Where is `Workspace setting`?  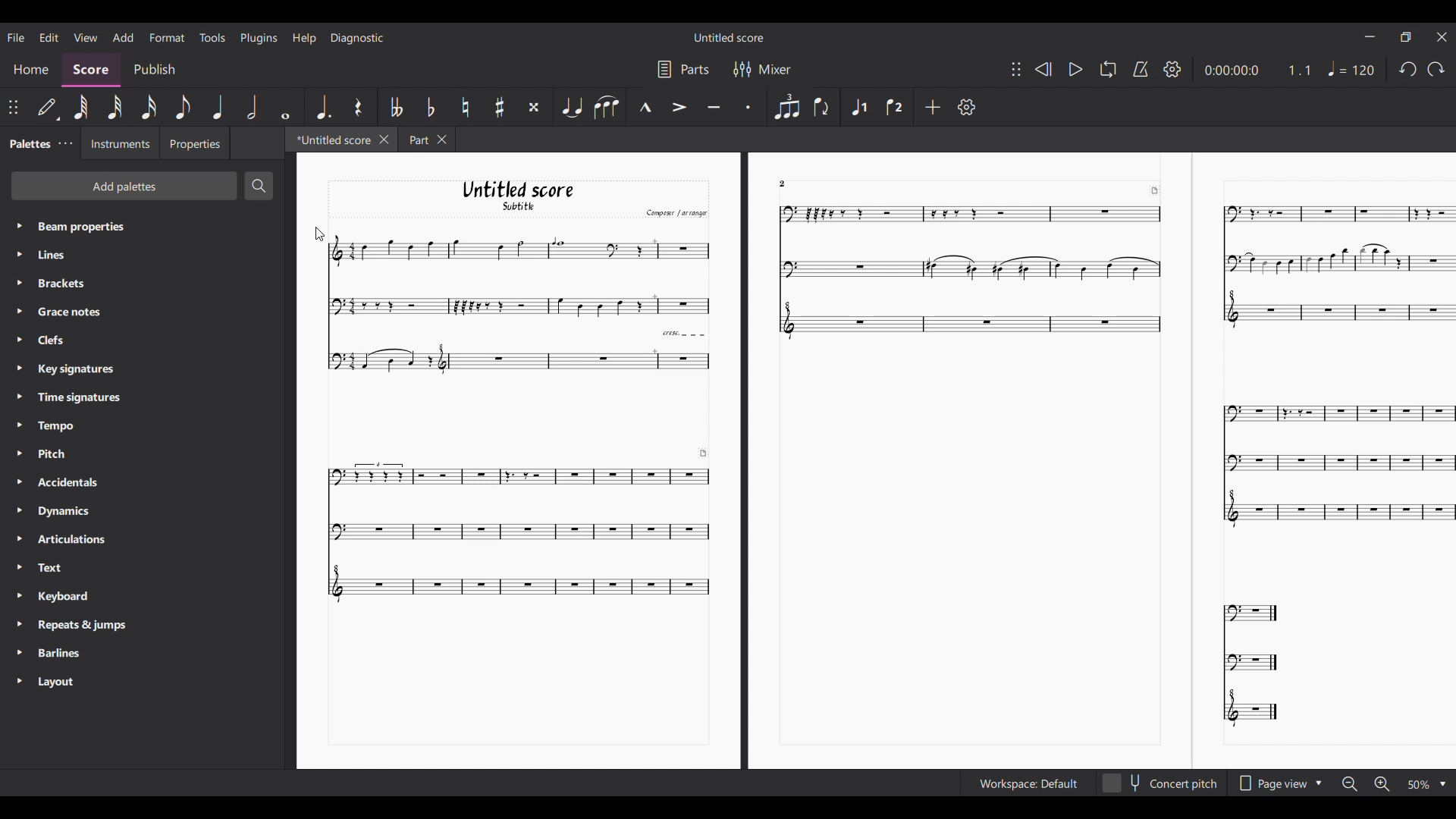 Workspace setting is located at coordinates (1028, 783).